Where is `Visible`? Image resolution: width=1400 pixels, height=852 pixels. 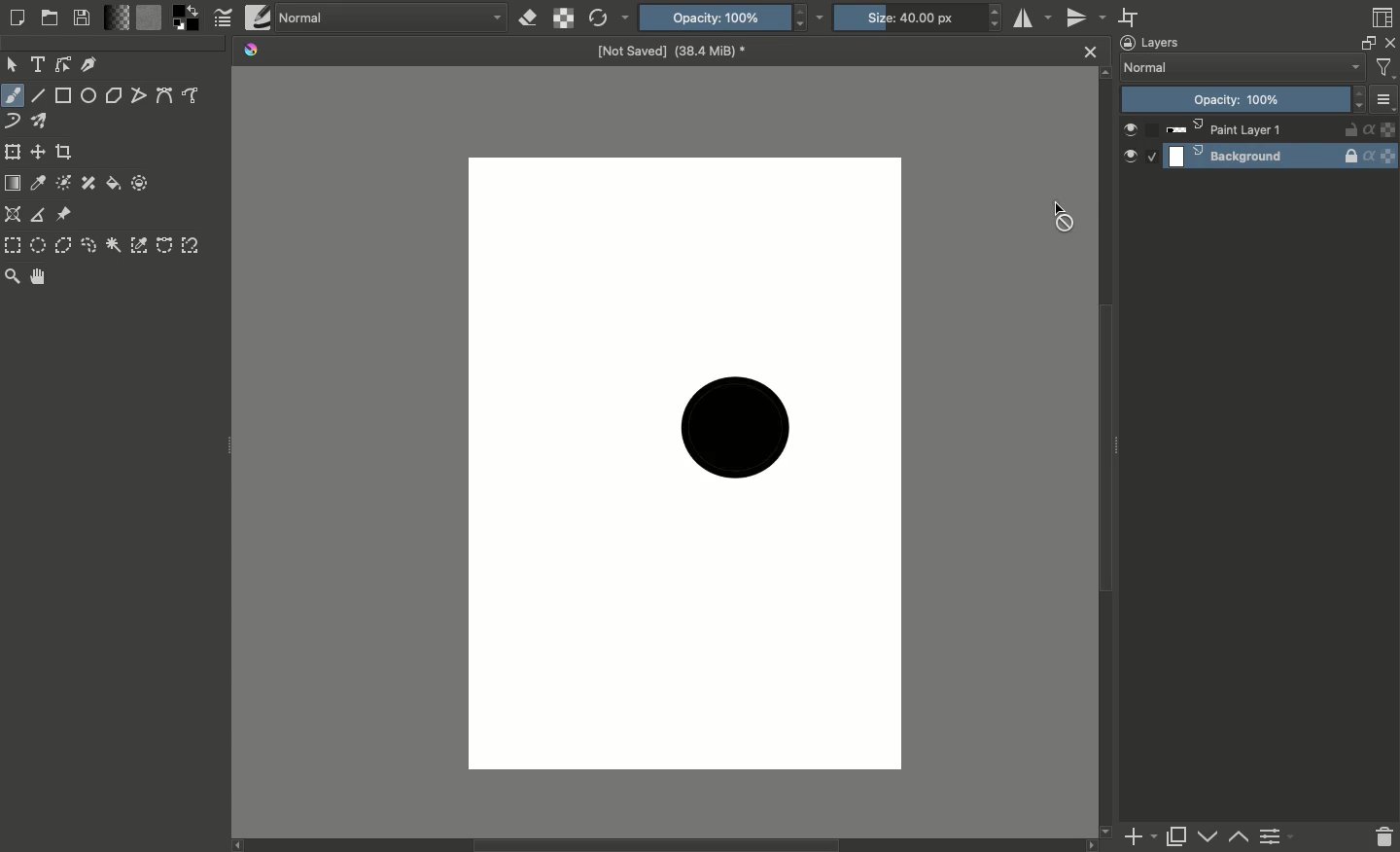 Visible is located at coordinates (1135, 158).